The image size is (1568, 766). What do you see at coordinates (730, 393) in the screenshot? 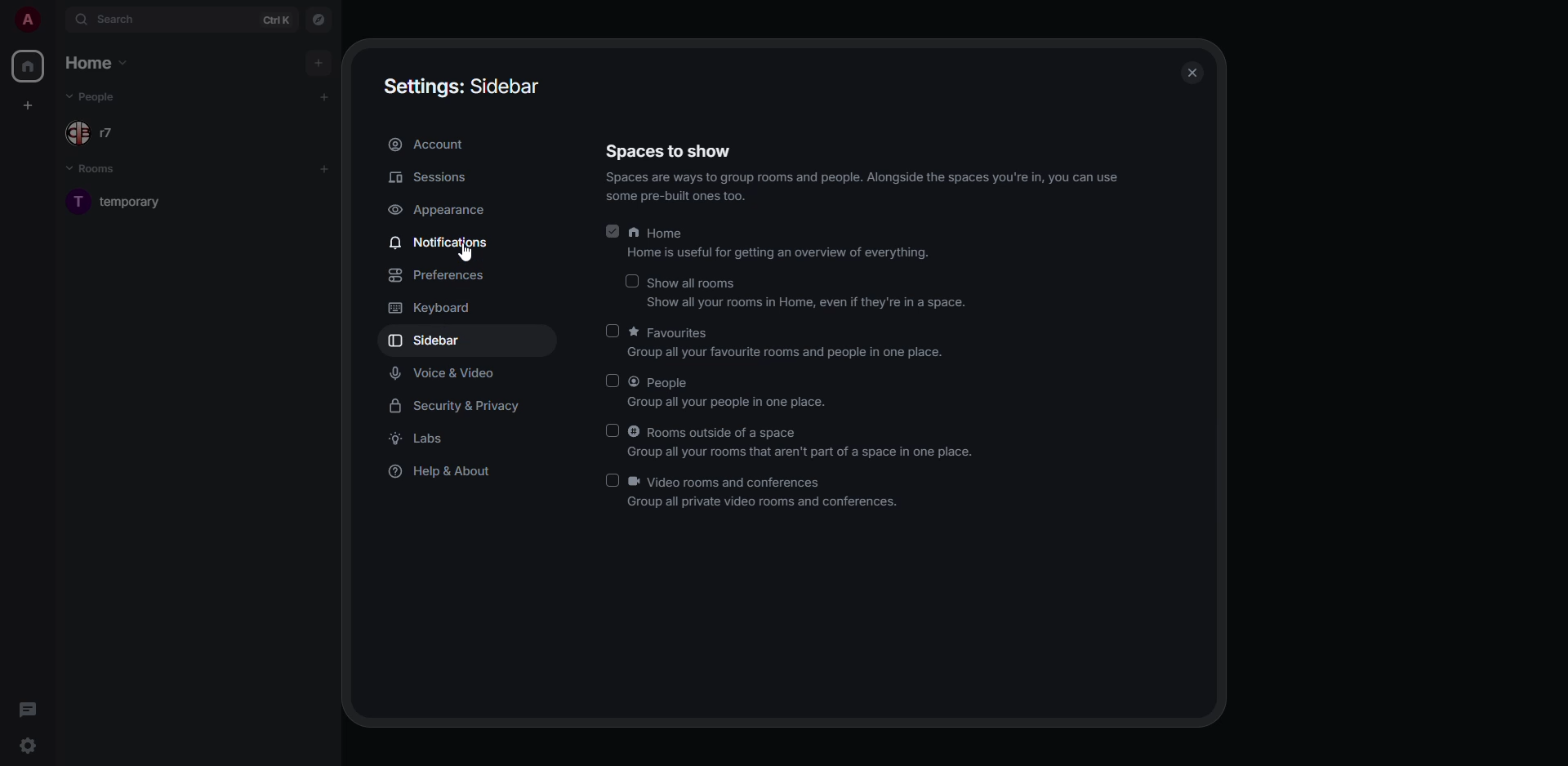
I see `people` at bounding box center [730, 393].